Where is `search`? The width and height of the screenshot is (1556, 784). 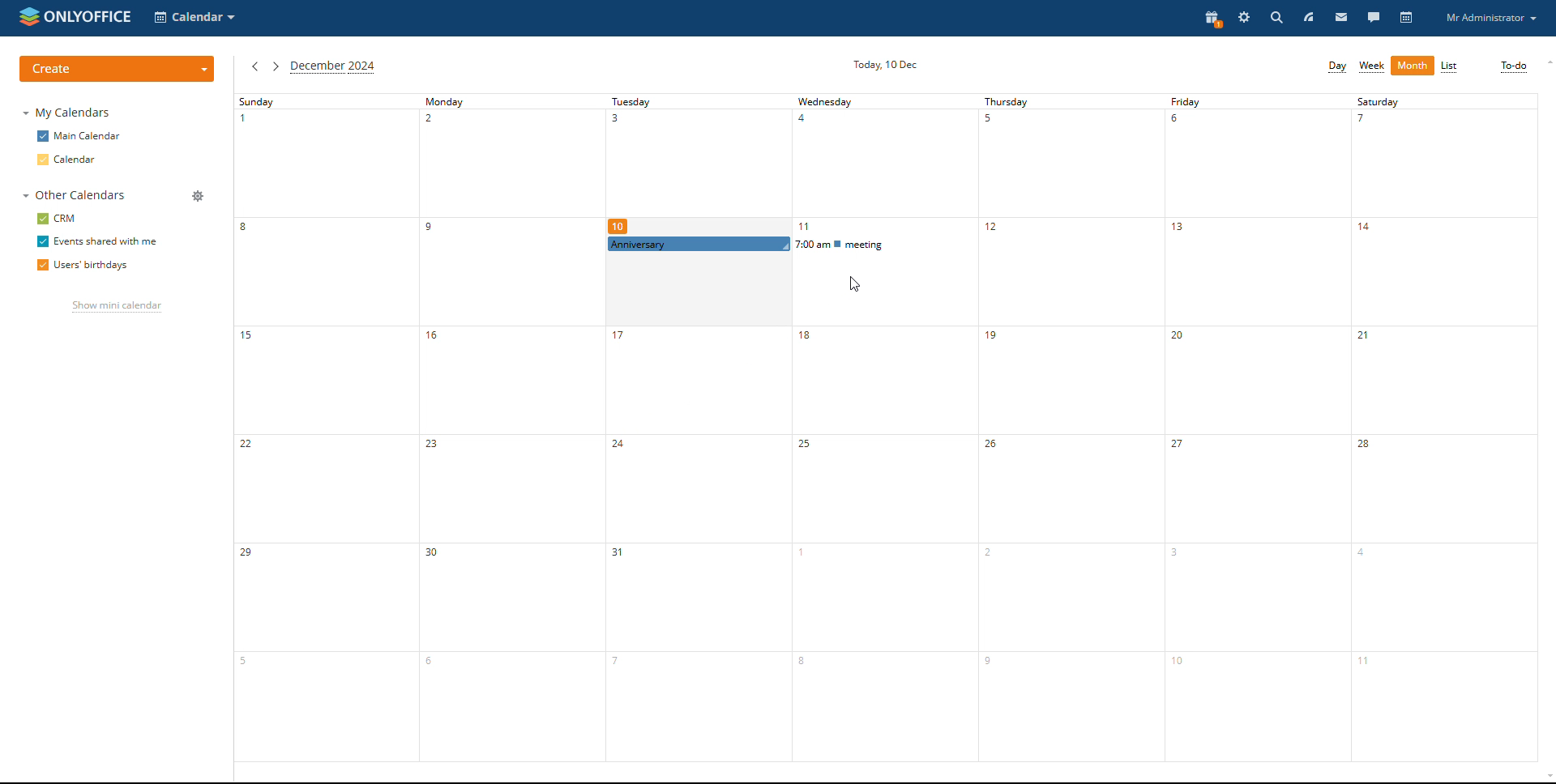
search is located at coordinates (1275, 18).